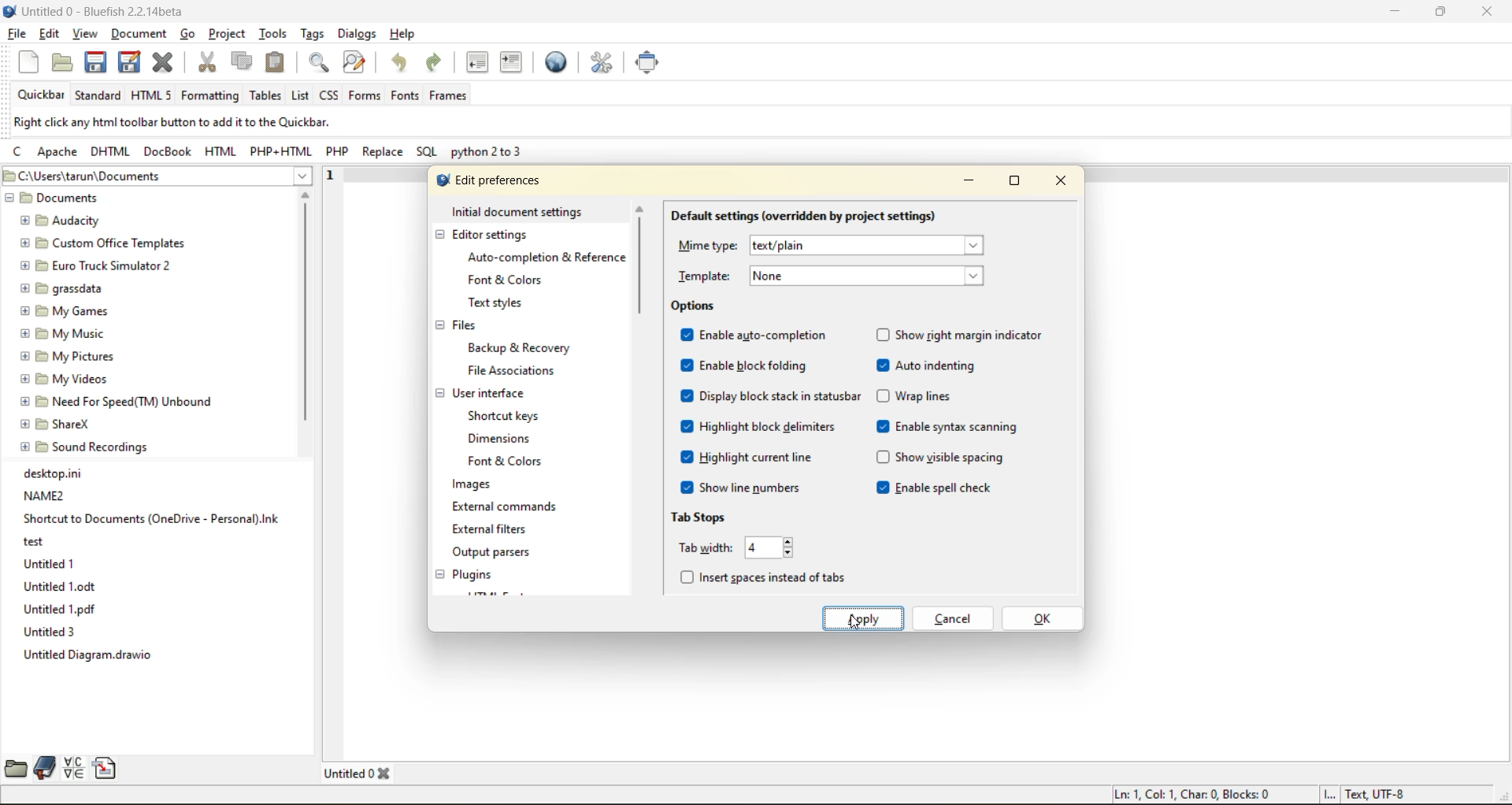  Describe the element at coordinates (758, 427) in the screenshot. I see `highlight  block delimiters` at that location.